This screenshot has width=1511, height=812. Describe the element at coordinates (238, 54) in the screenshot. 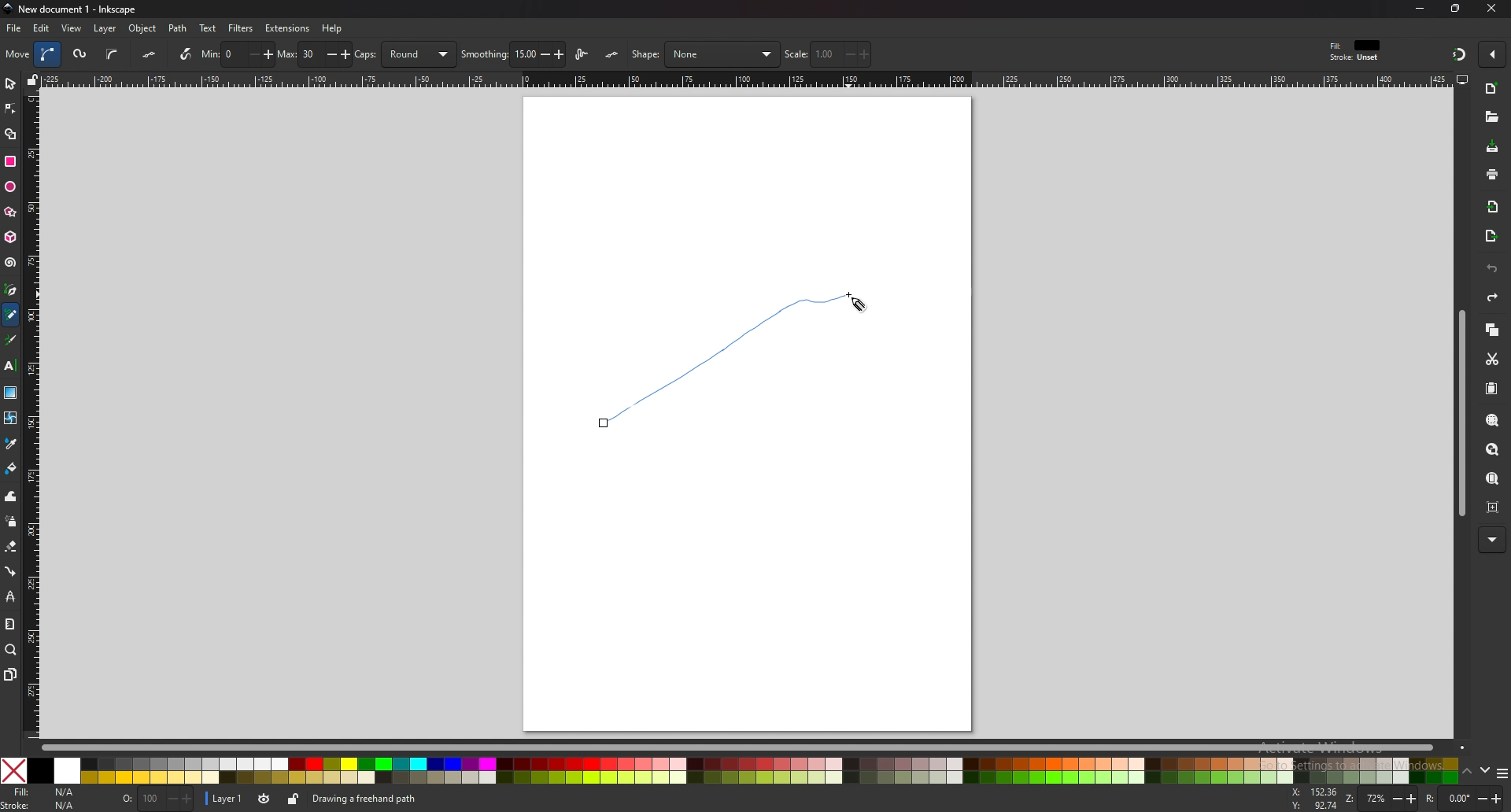

I see `min` at that location.